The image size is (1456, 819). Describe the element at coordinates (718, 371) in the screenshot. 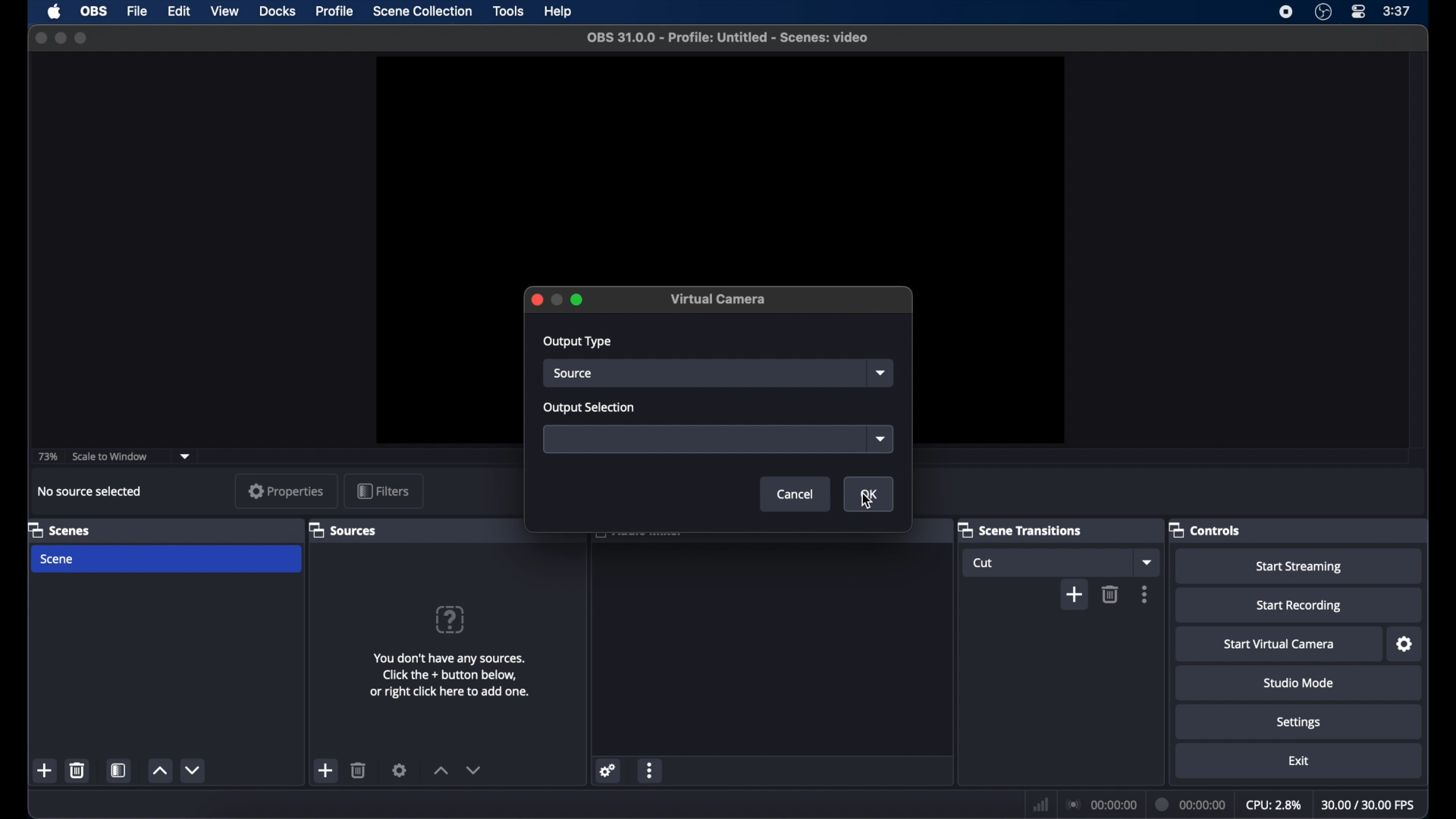

I see `source Dropdown` at that location.